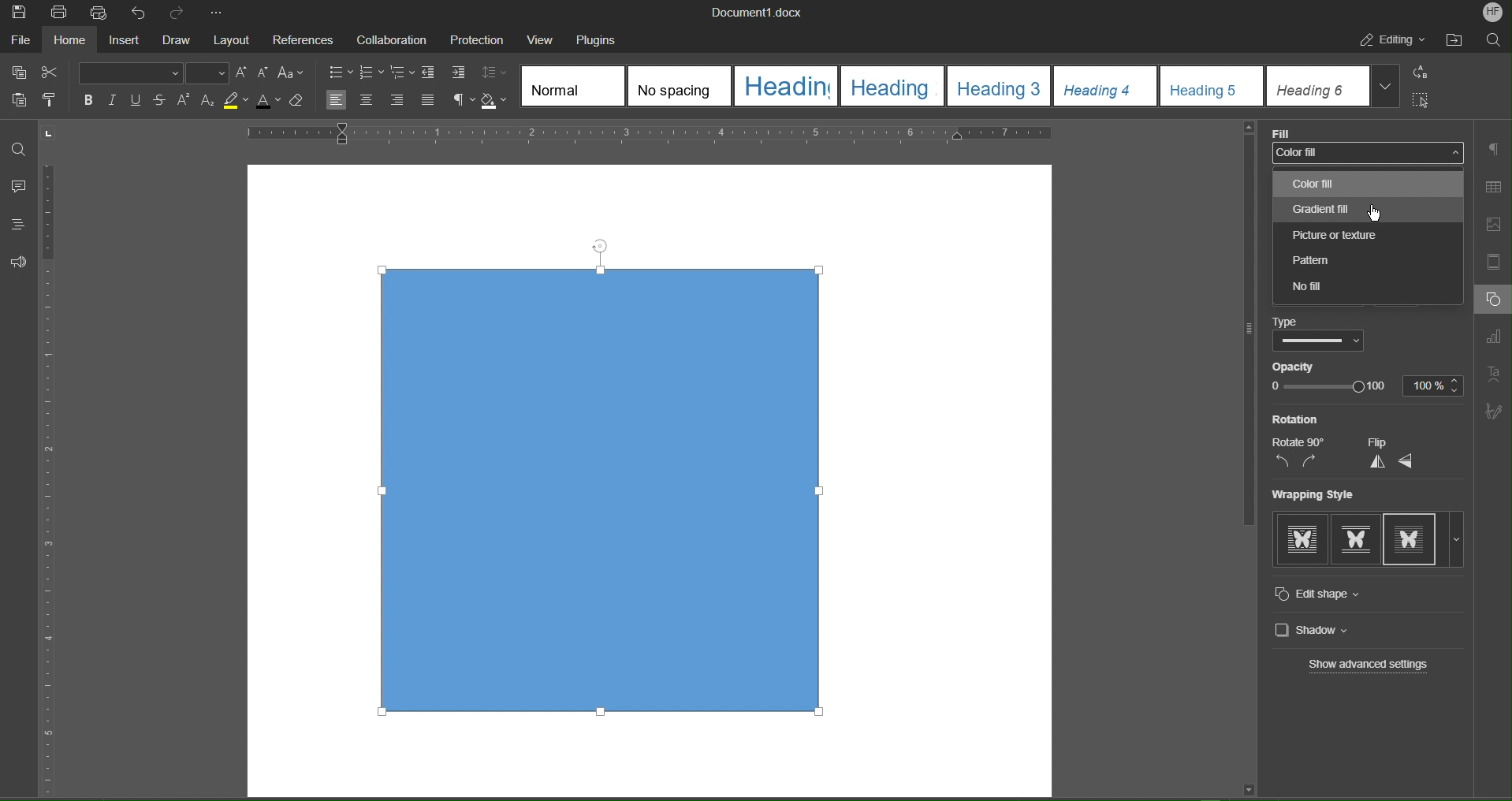 This screenshot has height=801, width=1512. I want to click on , so click(482, 39).